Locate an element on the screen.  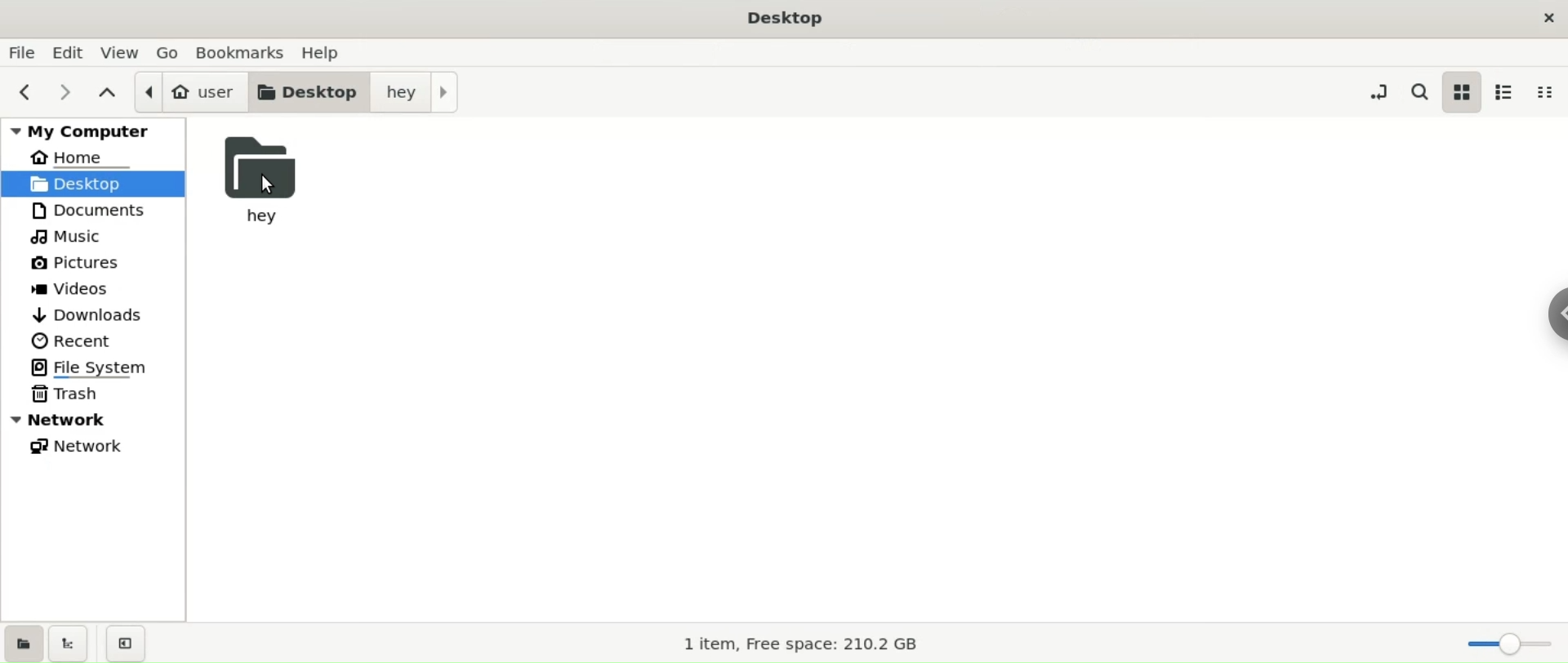
documents is located at coordinates (93, 210).